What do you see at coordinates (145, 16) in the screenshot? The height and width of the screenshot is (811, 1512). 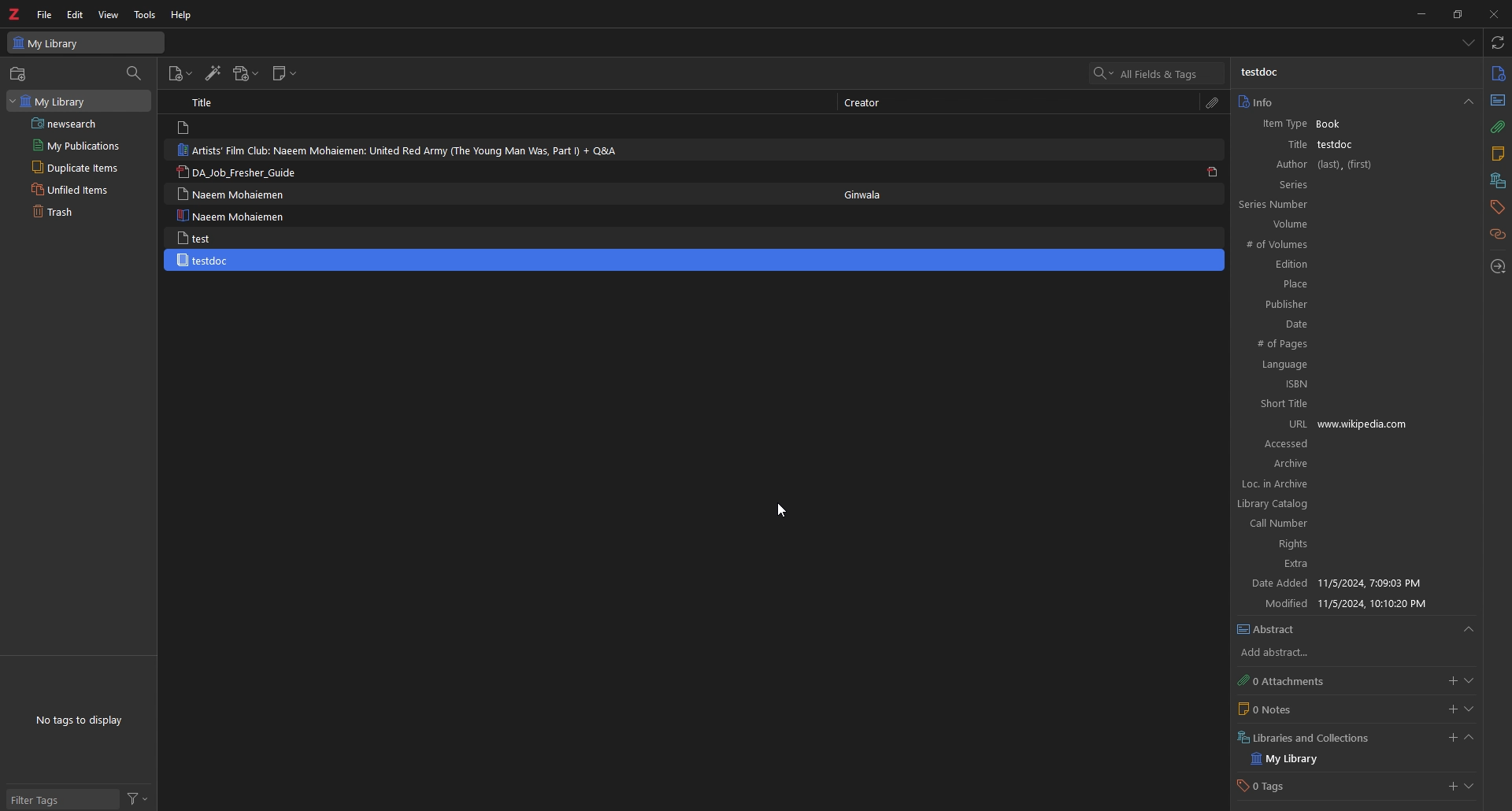 I see `tools` at bounding box center [145, 16].